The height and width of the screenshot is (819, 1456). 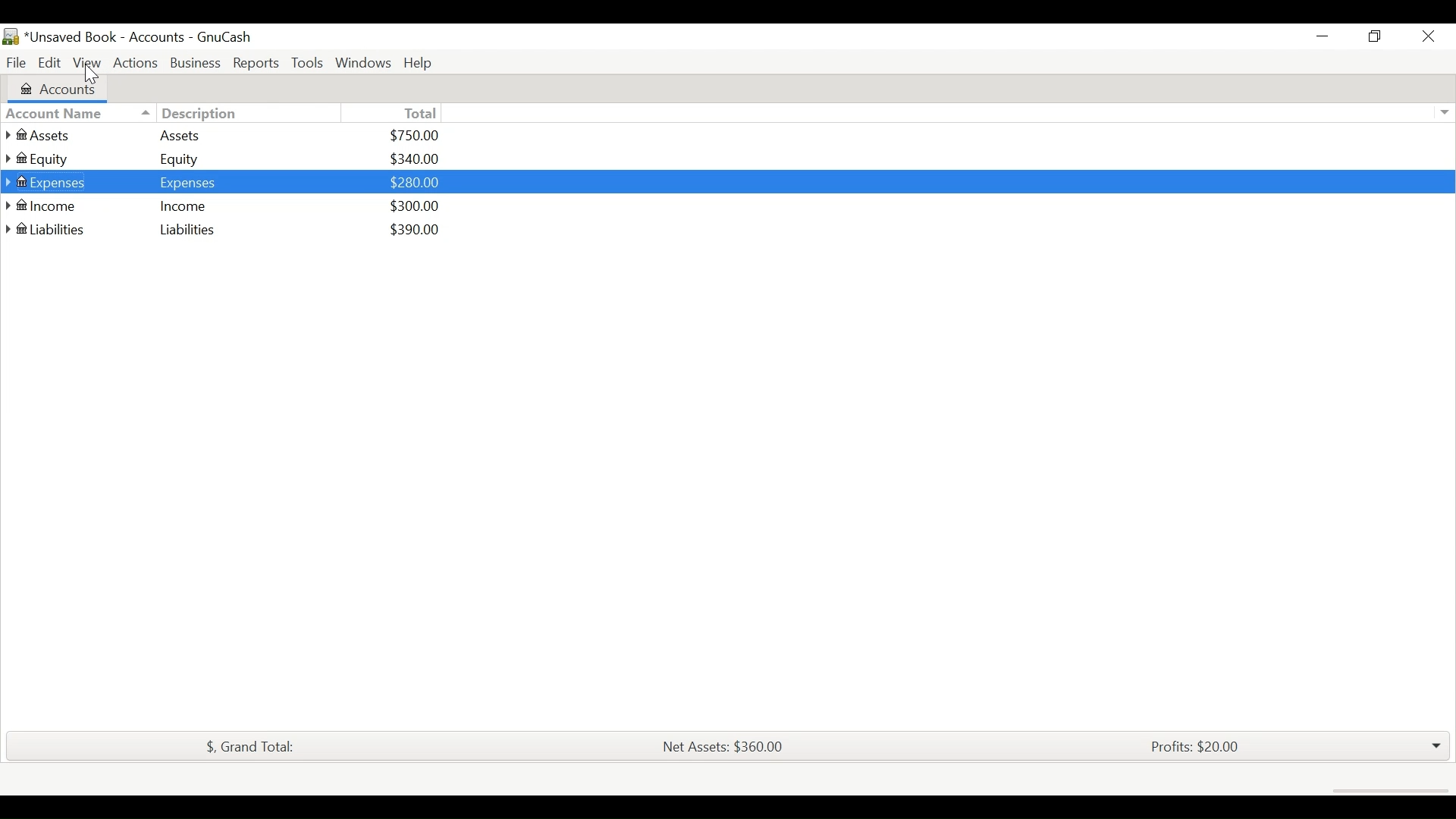 What do you see at coordinates (55, 112) in the screenshot?
I see `Account Name` at bounding box center [55, 112].